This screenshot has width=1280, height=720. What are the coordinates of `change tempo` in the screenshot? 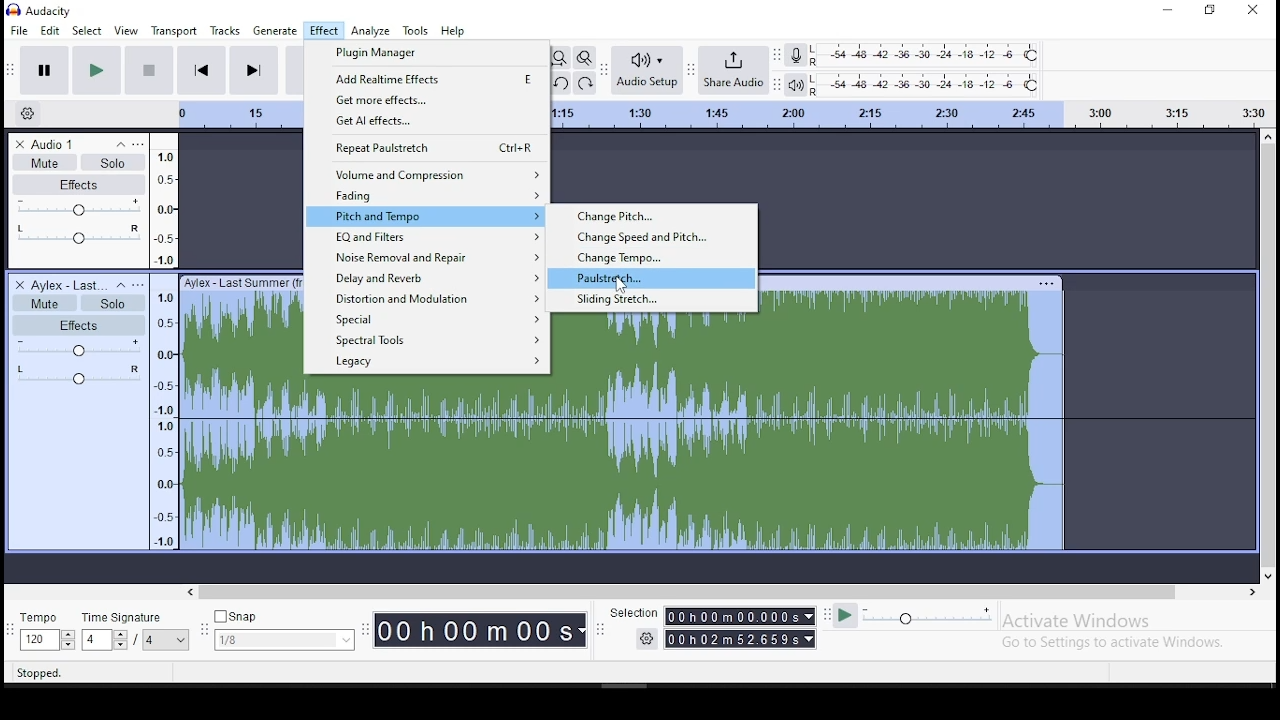 It's located at (652, 257).